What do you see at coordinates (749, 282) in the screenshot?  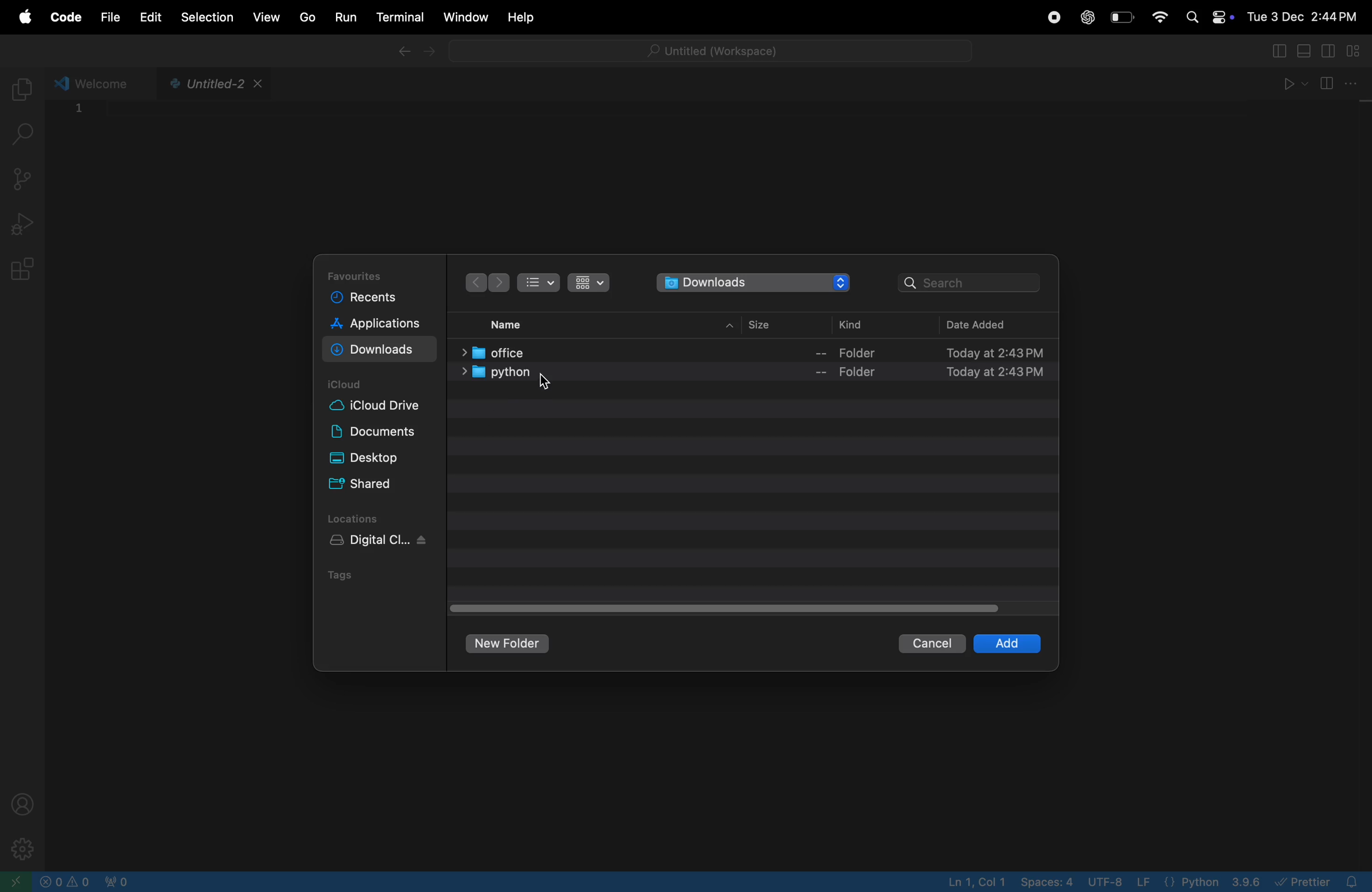 I see `downloads` at bounding box center [749, 282].